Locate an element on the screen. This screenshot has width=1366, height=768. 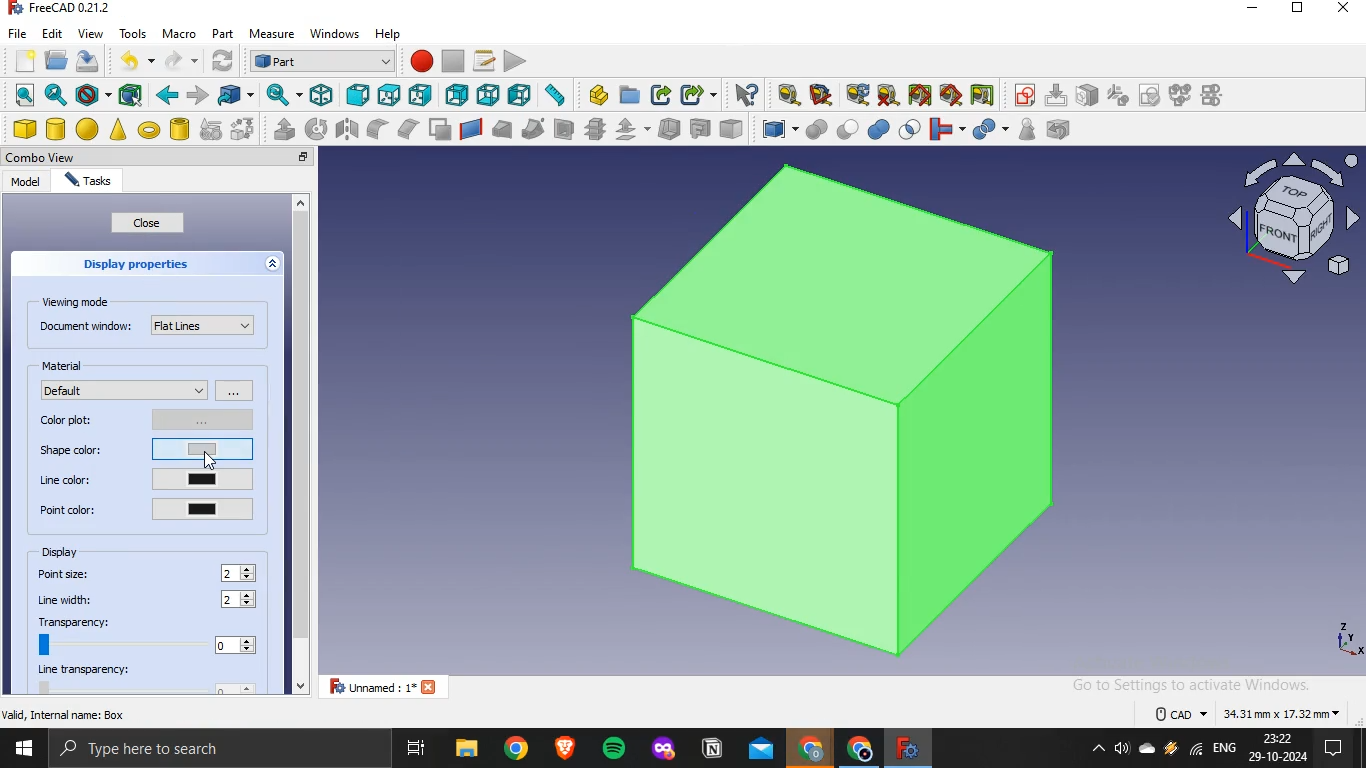
viewing mode is located at coordinates (79, 301).